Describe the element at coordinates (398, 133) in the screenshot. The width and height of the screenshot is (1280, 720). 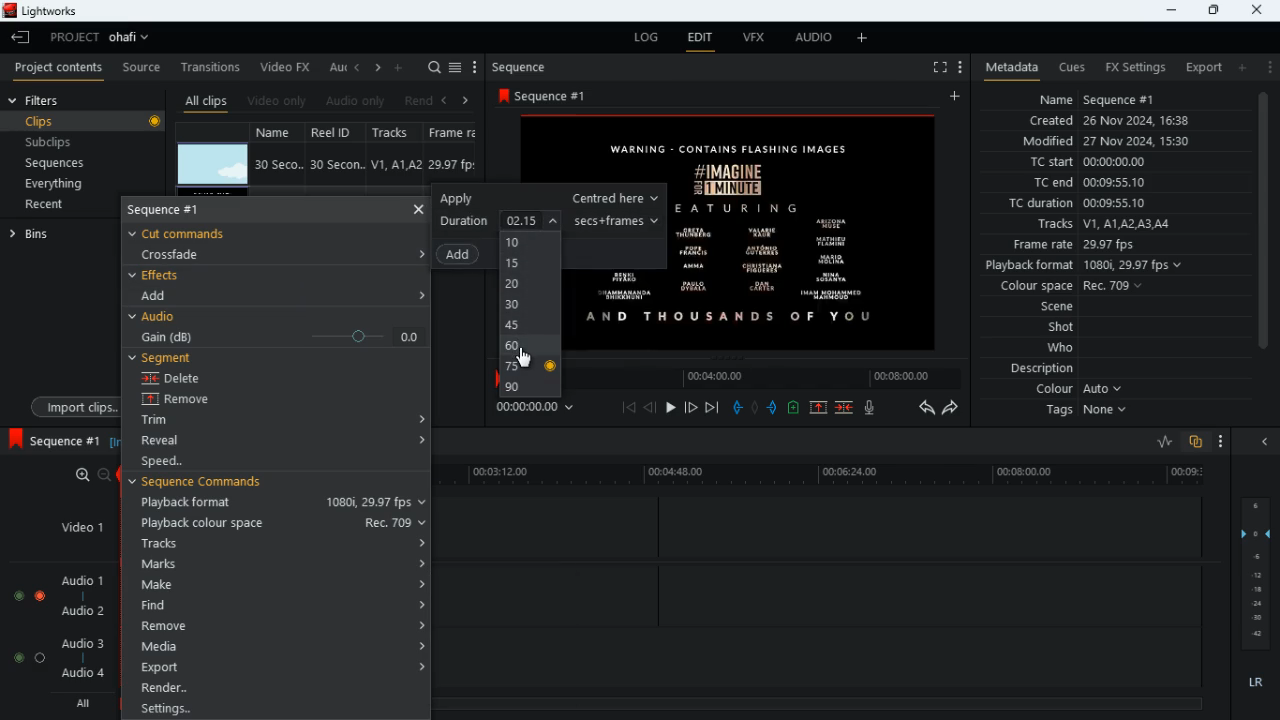
I see `tracks` at that location.